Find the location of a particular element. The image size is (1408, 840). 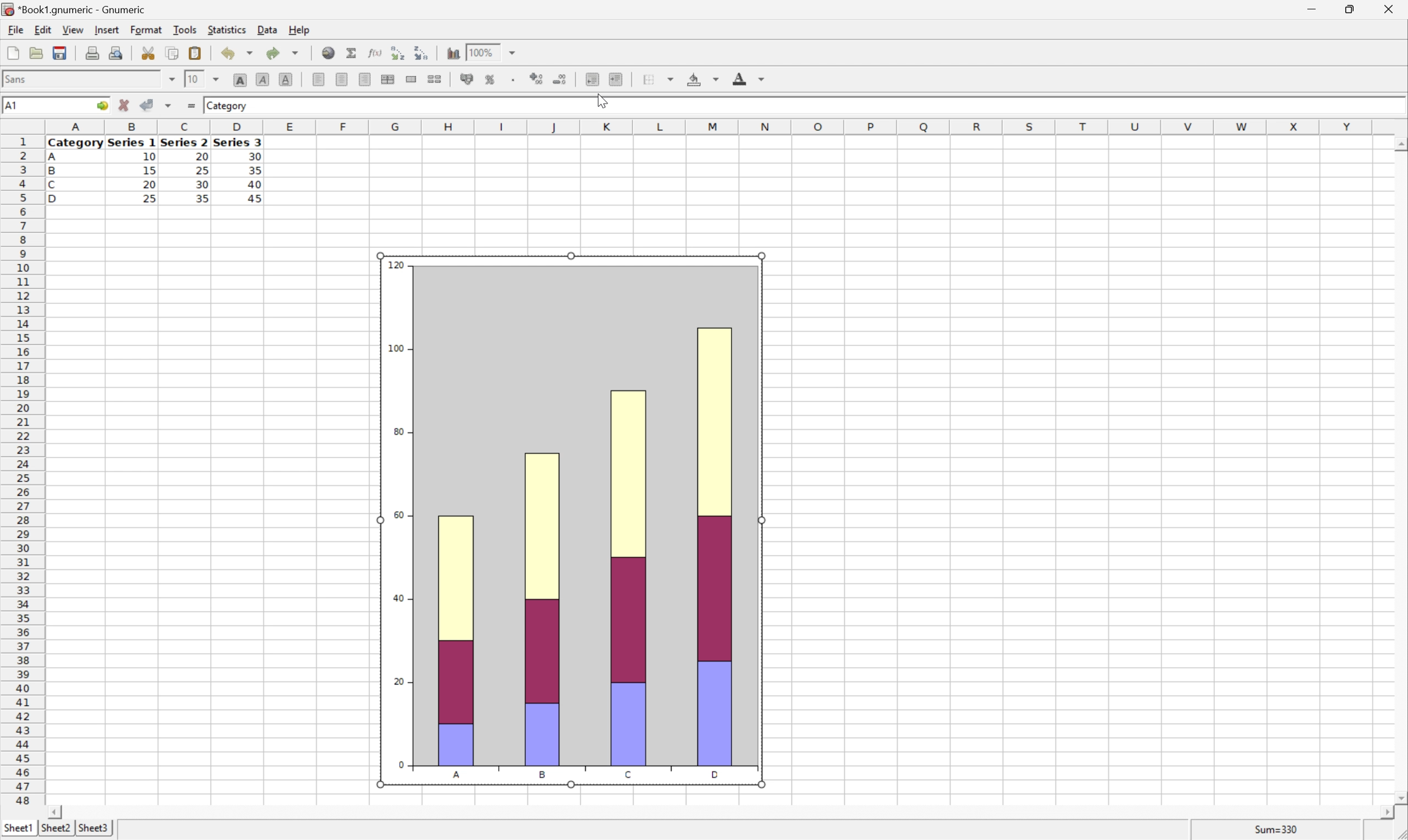

Align Right is located at coordinates (365, 80).